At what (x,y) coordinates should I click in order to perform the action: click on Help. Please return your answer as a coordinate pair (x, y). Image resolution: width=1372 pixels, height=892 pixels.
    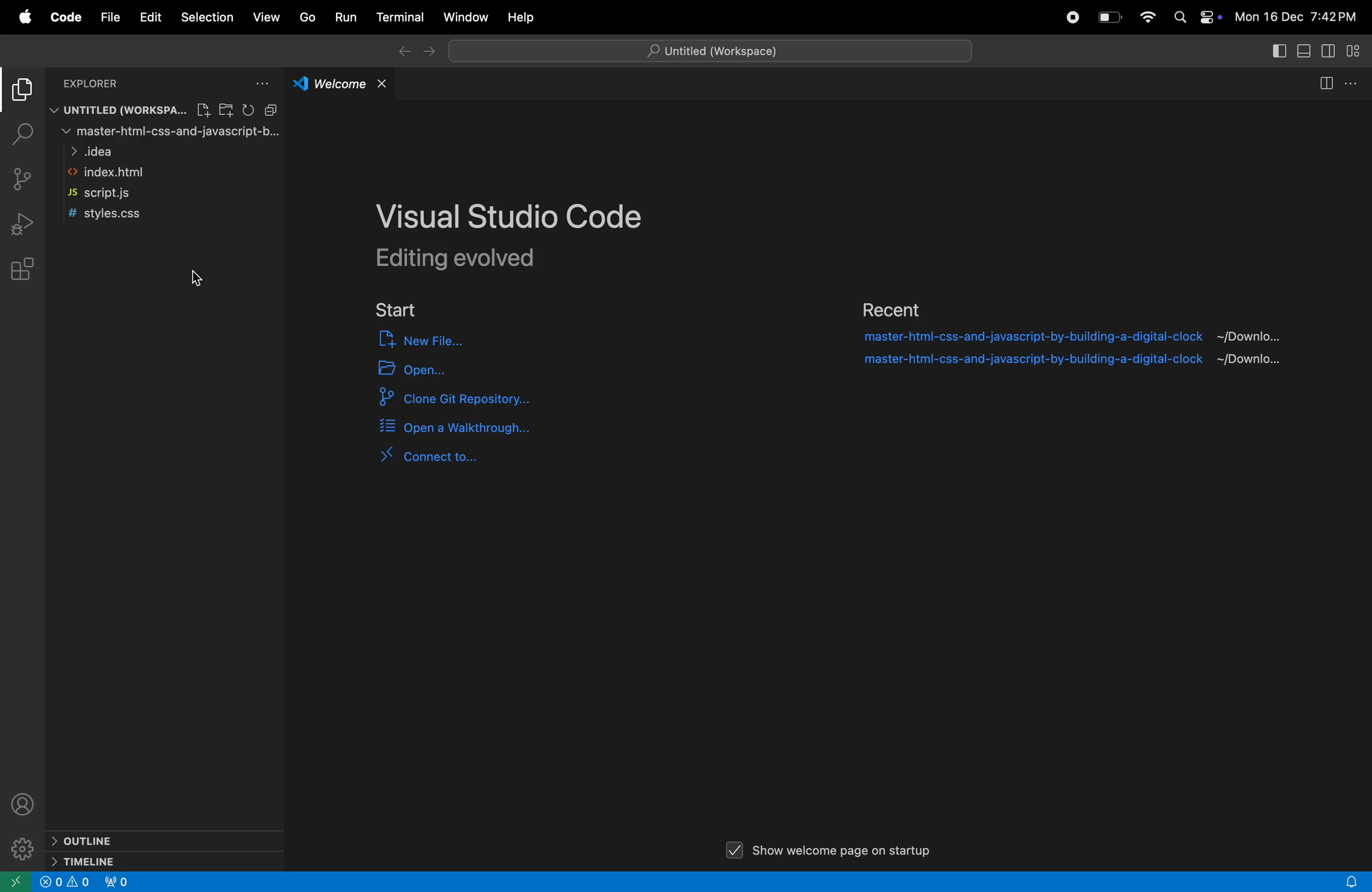
    Looking at the image, I should click on (522, 17).